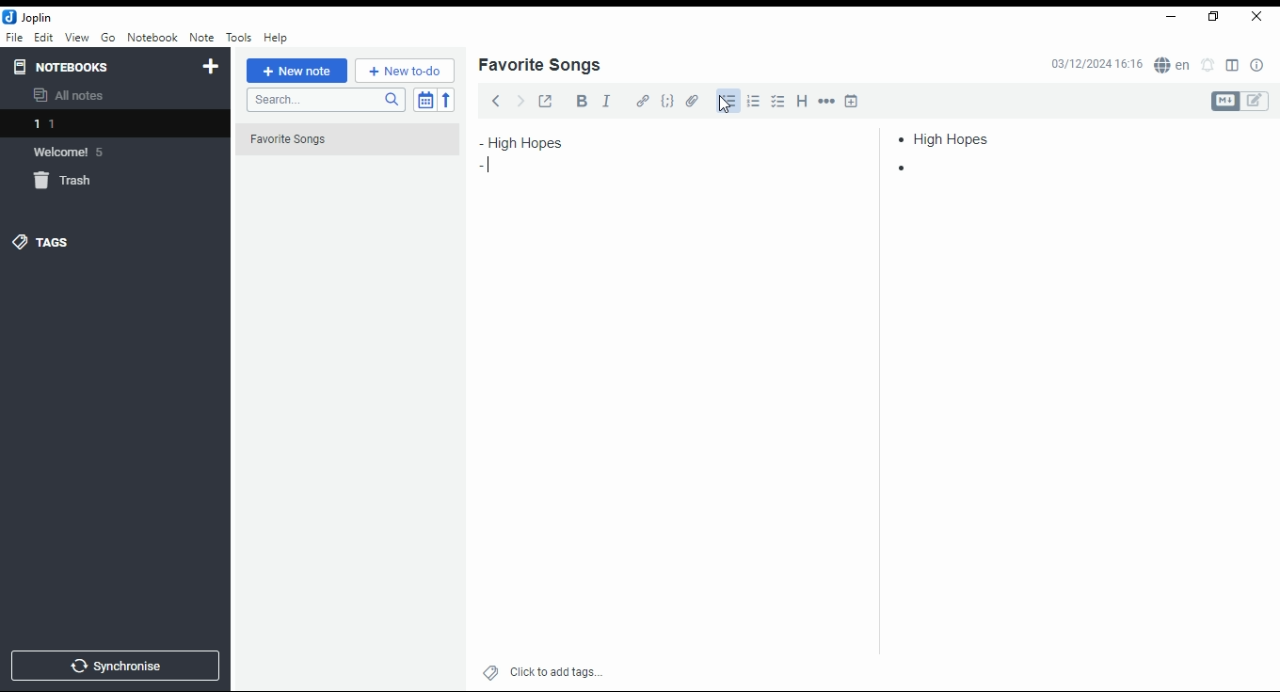 The height and width of the screenshot is (692, 1280). What do you see at coordinates (1174, 64) in the screenshot?
I see `spell checker` at bounding box center [1174, 64].